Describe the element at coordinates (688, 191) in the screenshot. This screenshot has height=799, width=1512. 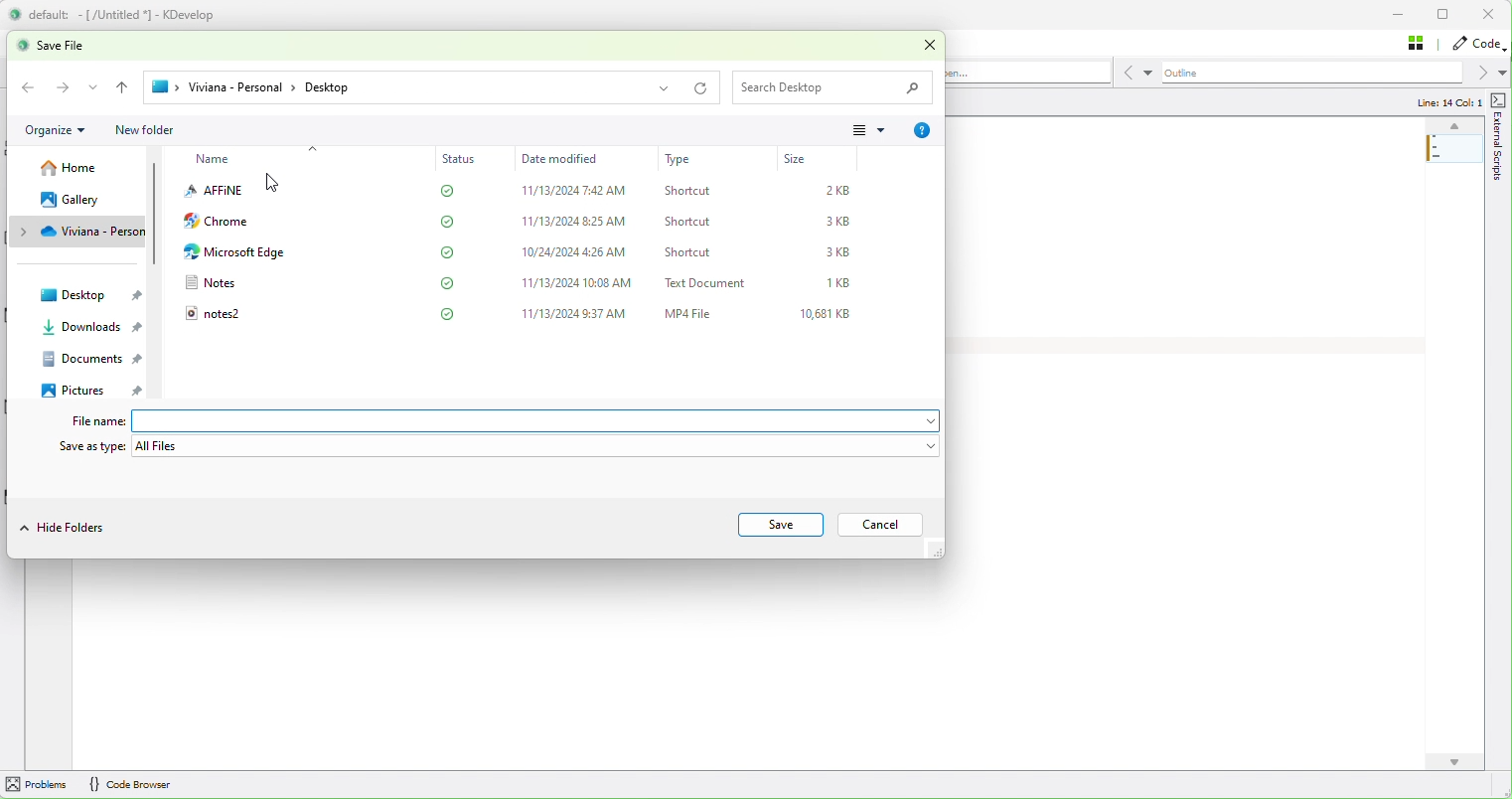
I see `Shortcut` at that location.